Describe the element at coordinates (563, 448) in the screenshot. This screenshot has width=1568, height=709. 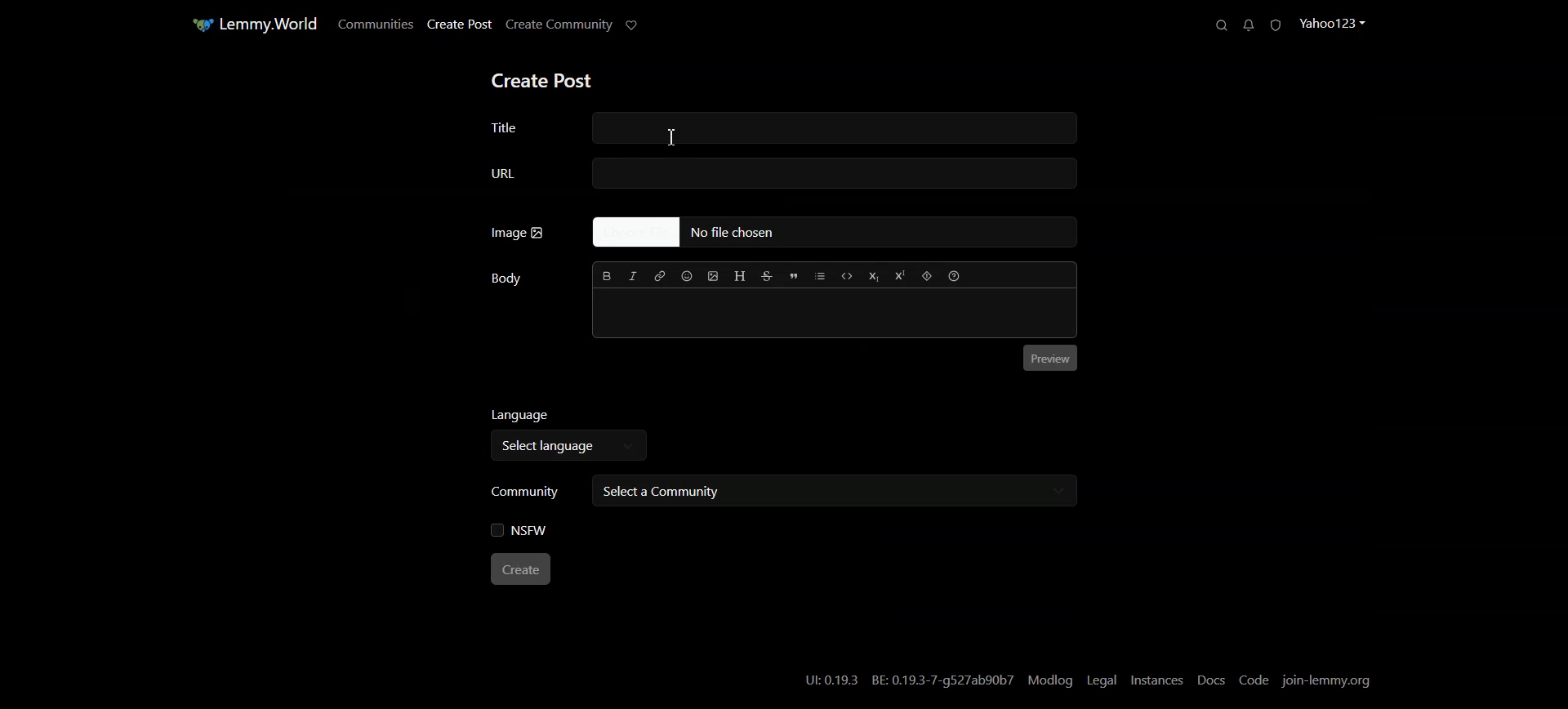
I see `Select language` at that location.